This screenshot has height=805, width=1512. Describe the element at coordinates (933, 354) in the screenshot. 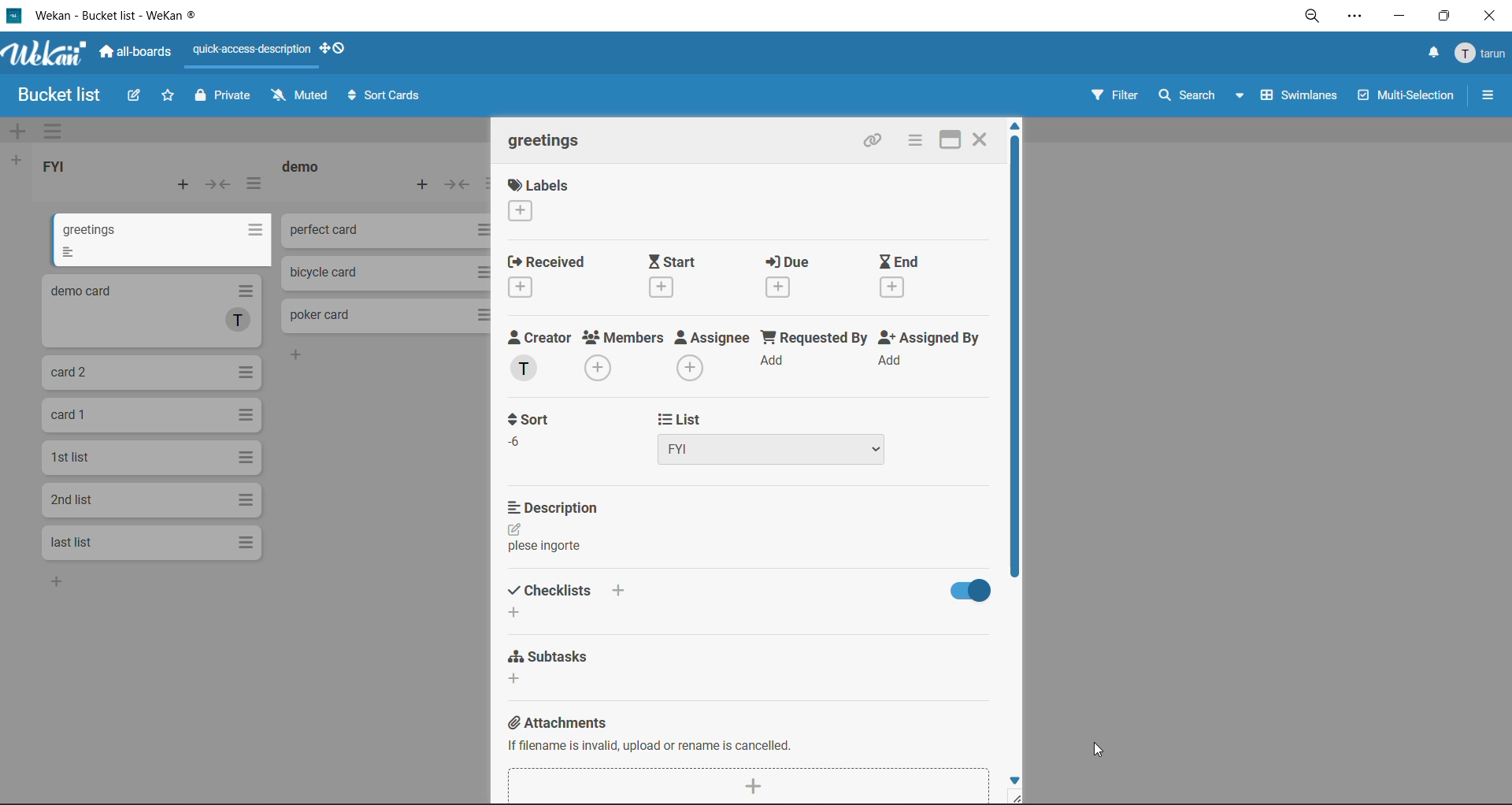

I see `assigned by` at that location.